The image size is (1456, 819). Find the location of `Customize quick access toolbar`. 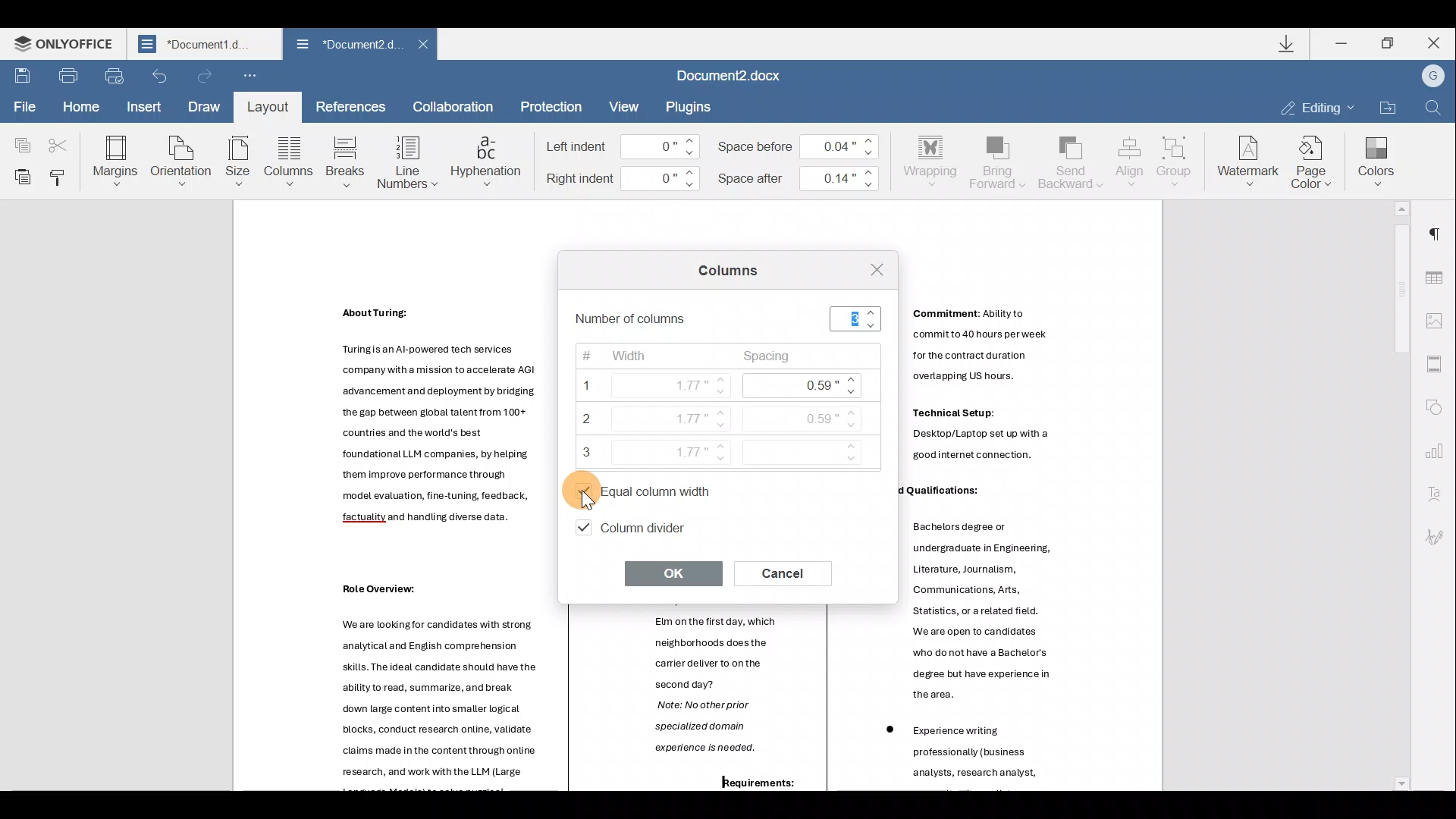

Customize quick access toolbar is located at coordinates (250, 77).